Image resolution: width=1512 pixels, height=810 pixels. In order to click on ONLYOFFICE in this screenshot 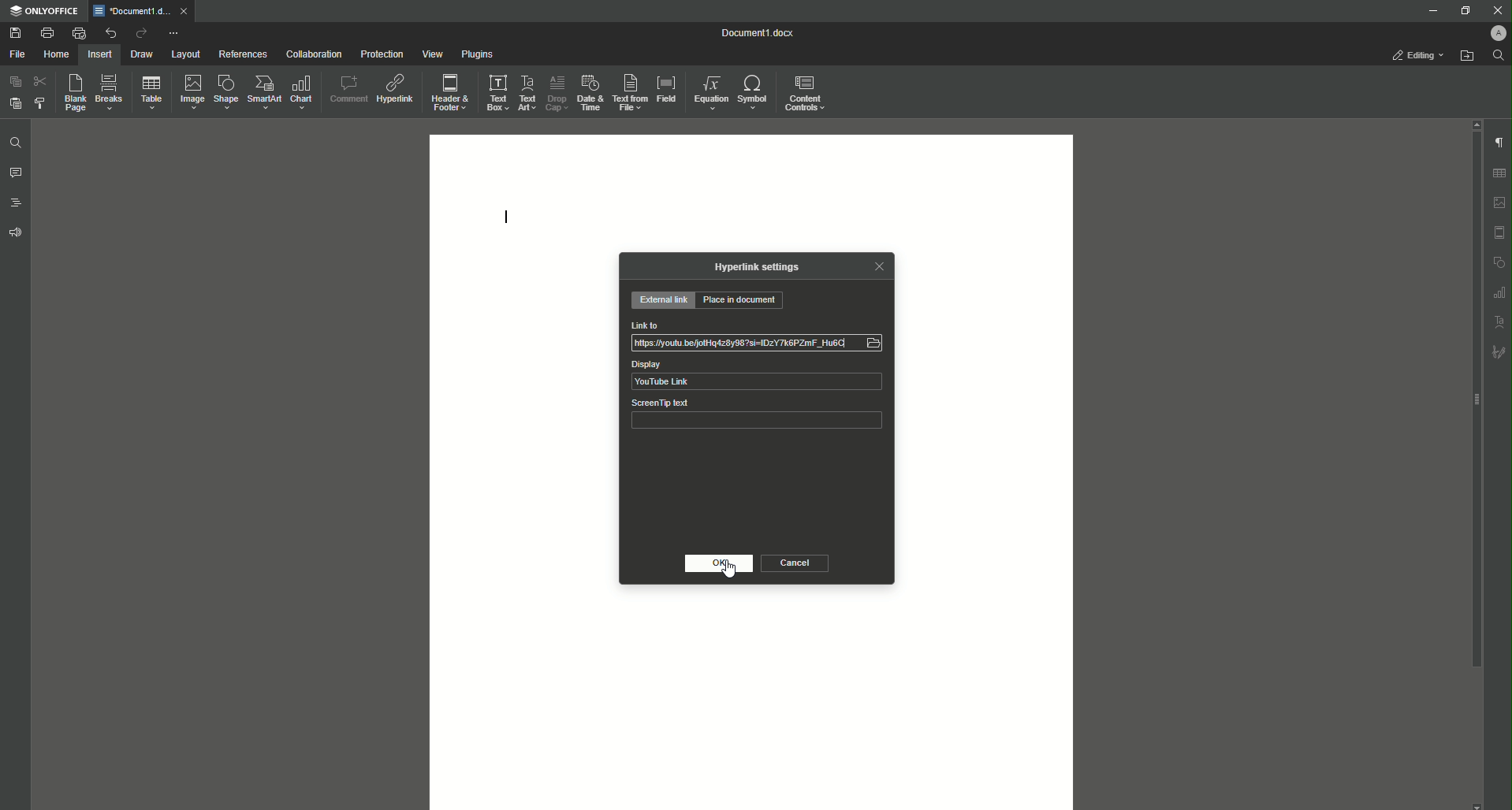, I will do `click(44, 12)`.